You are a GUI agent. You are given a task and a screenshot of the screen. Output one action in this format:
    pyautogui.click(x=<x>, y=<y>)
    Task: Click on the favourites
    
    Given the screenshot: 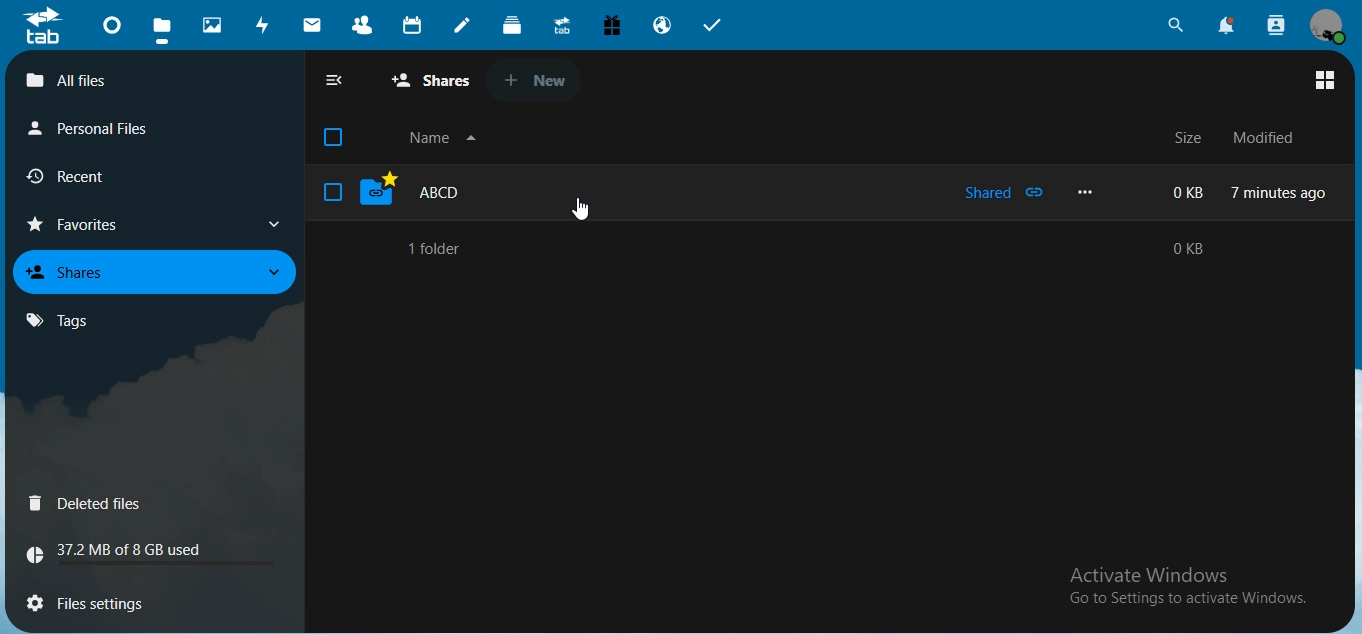 What is the action you would take?
    pyautogui.click(x=83, y=225)
    